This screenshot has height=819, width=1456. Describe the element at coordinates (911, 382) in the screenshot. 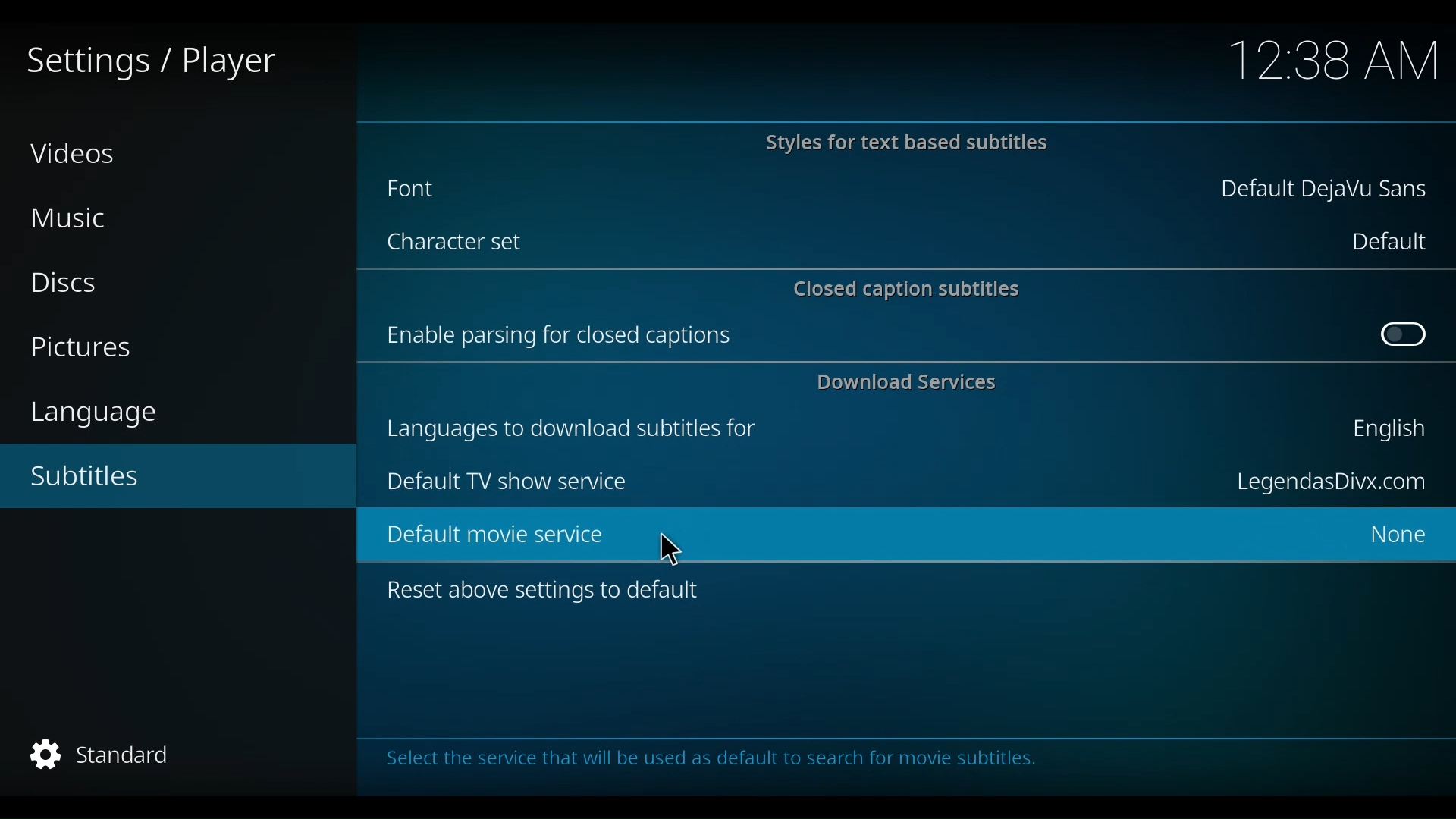

I see `Download Services` at that location.